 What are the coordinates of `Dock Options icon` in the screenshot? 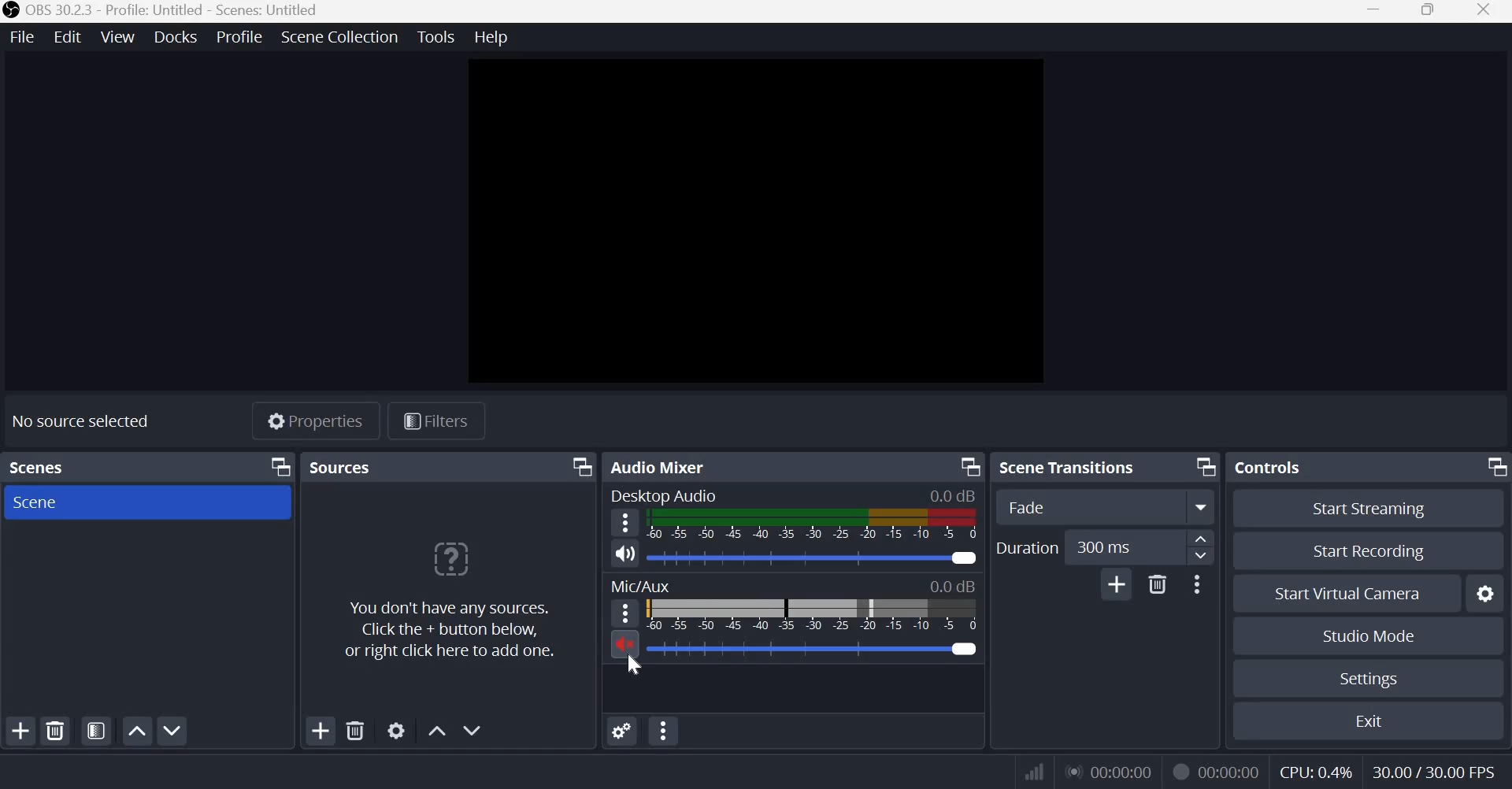 It's located at (573, 467).